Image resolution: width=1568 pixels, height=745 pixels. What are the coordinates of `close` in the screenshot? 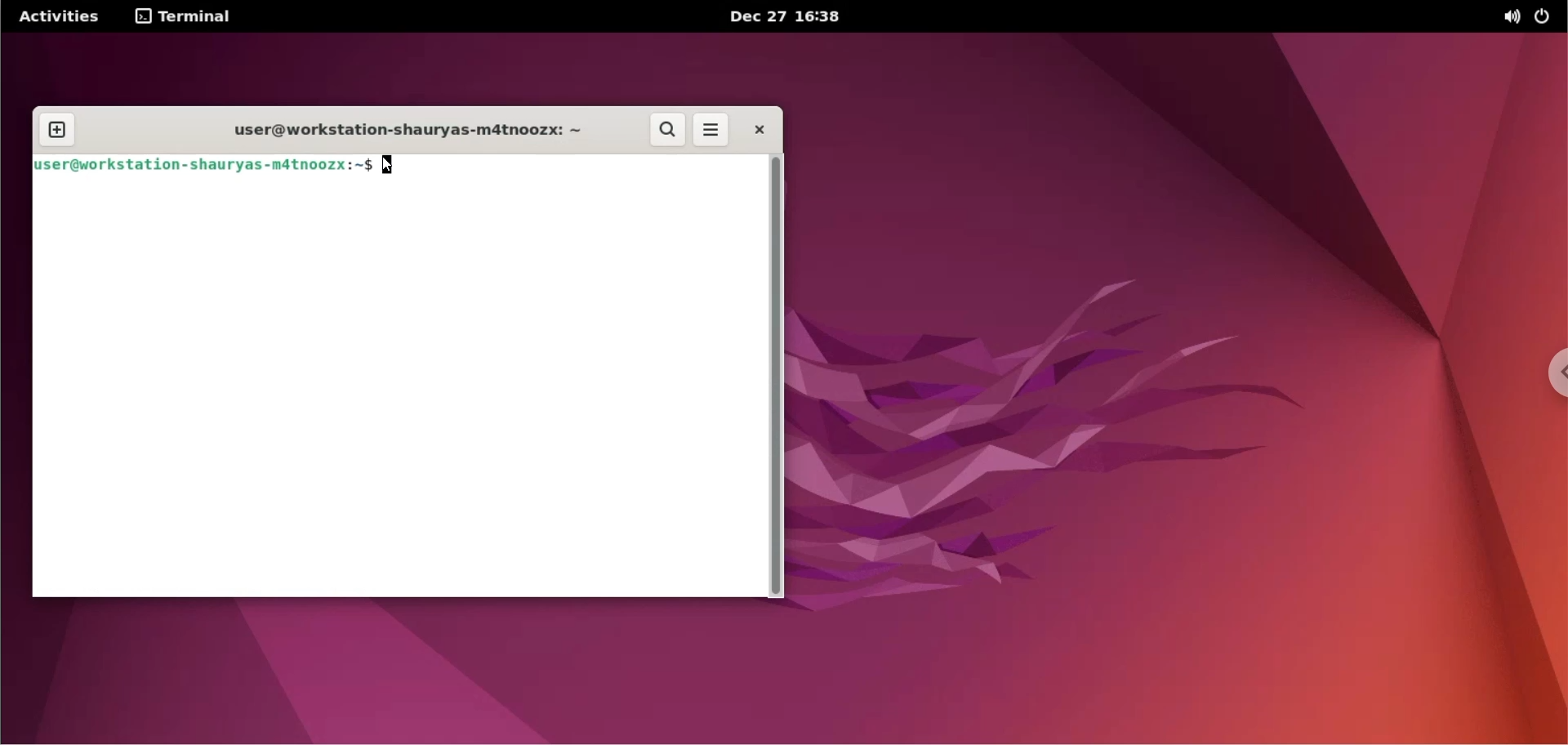 It's located at (757, 127).